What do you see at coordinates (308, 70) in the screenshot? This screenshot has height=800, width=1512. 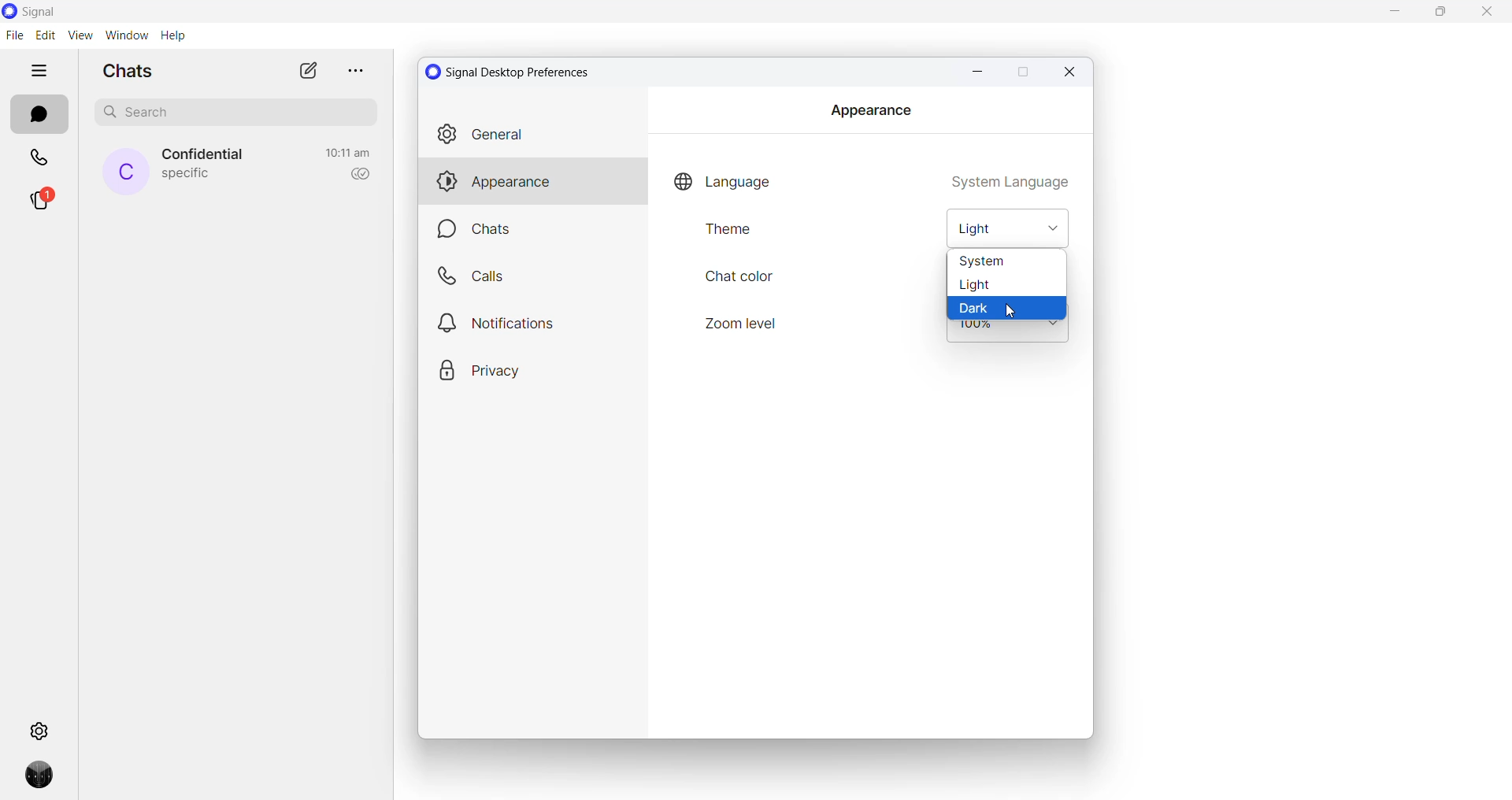 I see `new chat` at bounding box center [308, 70].